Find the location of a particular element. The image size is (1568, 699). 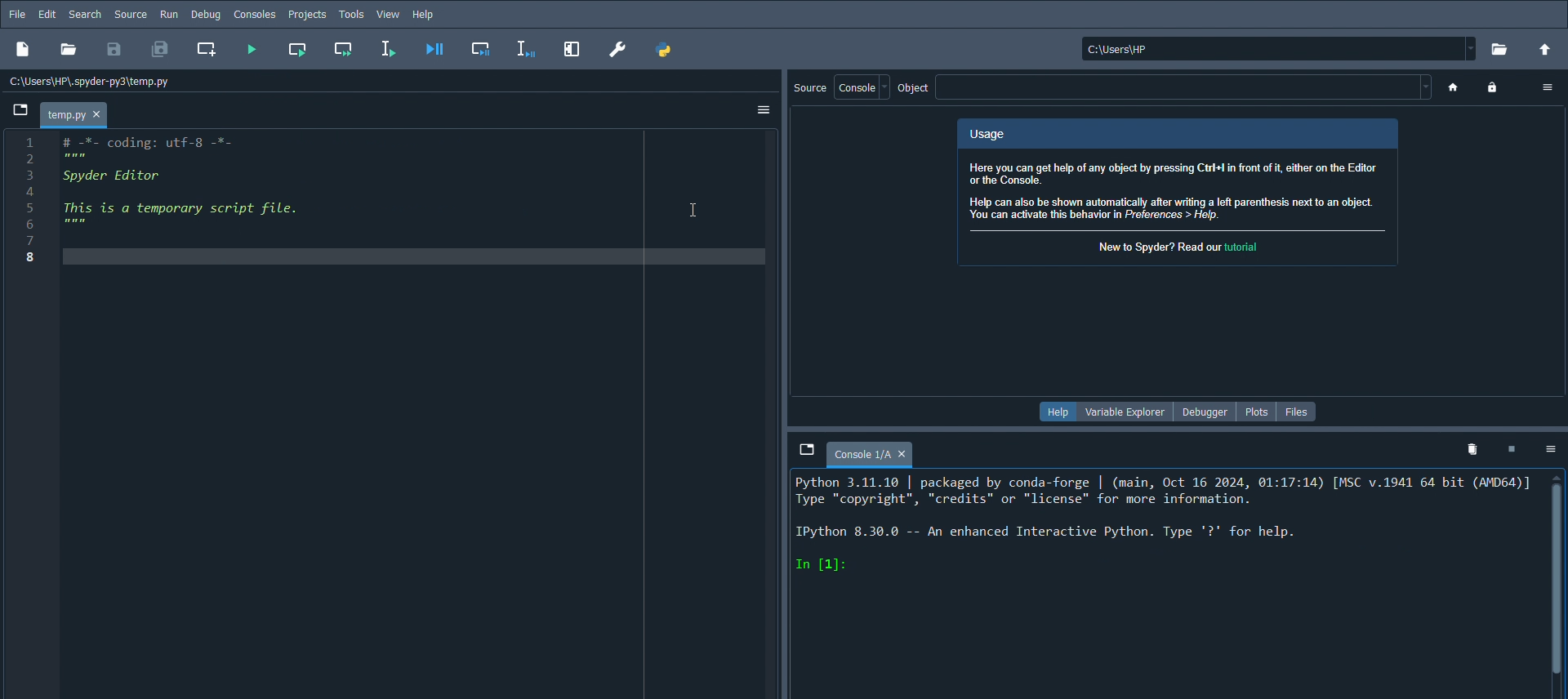

Run file is located at coordinates (252, 50).